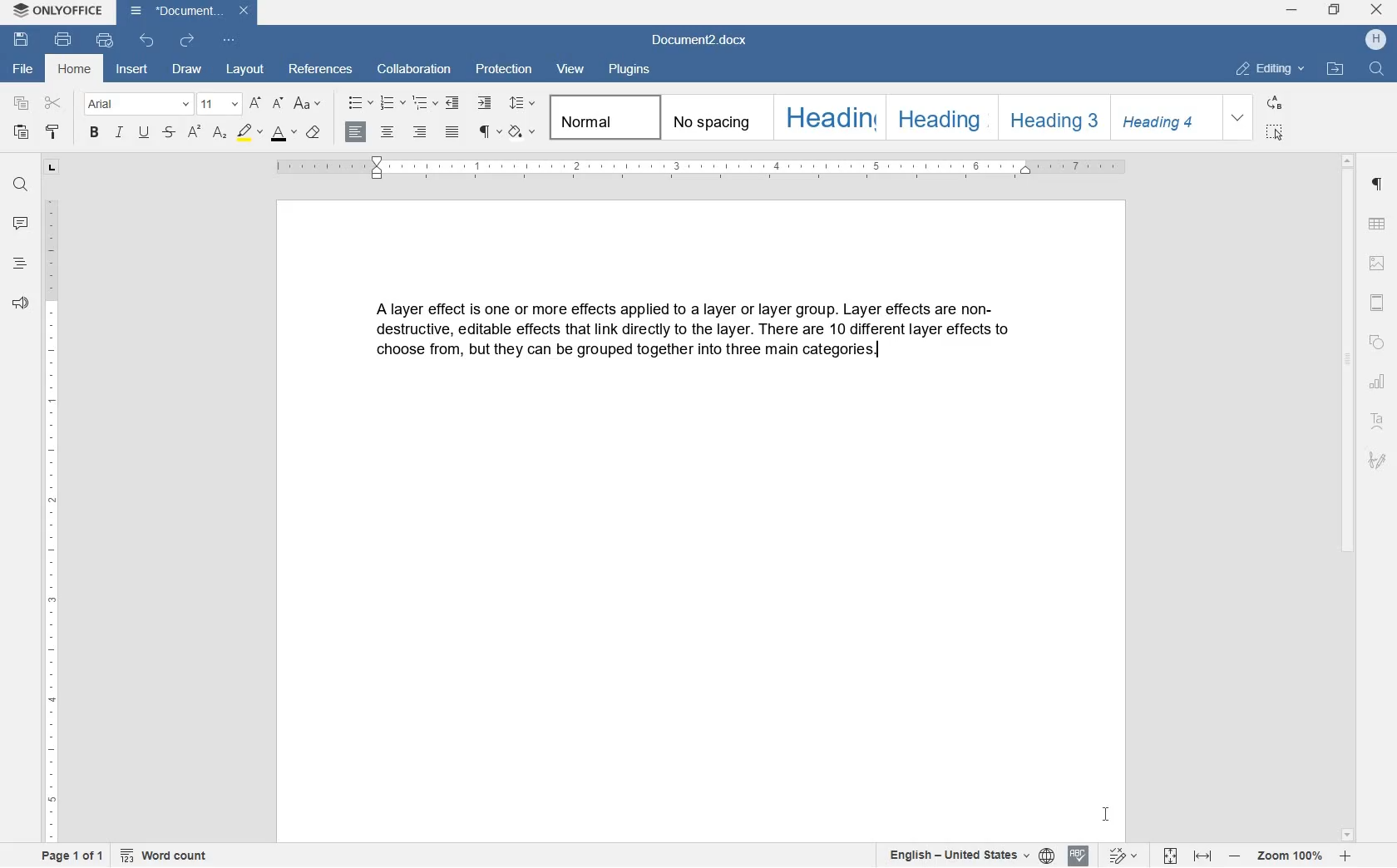 The height and width of the screenshot is (868, 1397). Describe the element at coordinates (76, 69) in the screenshot. I see `HOME` at that location.